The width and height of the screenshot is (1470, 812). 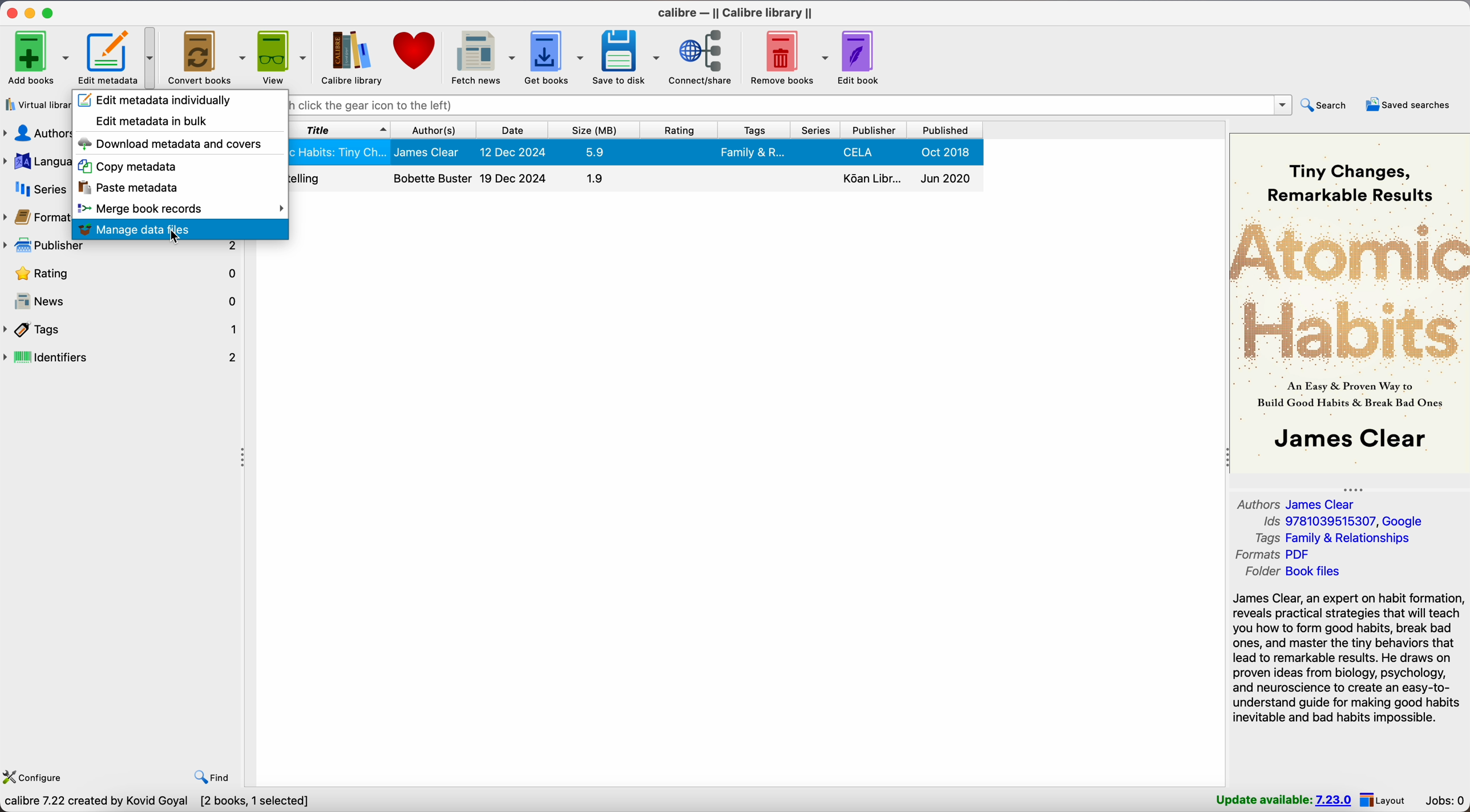 I want to click on layout, so click(x=1383, y=800).